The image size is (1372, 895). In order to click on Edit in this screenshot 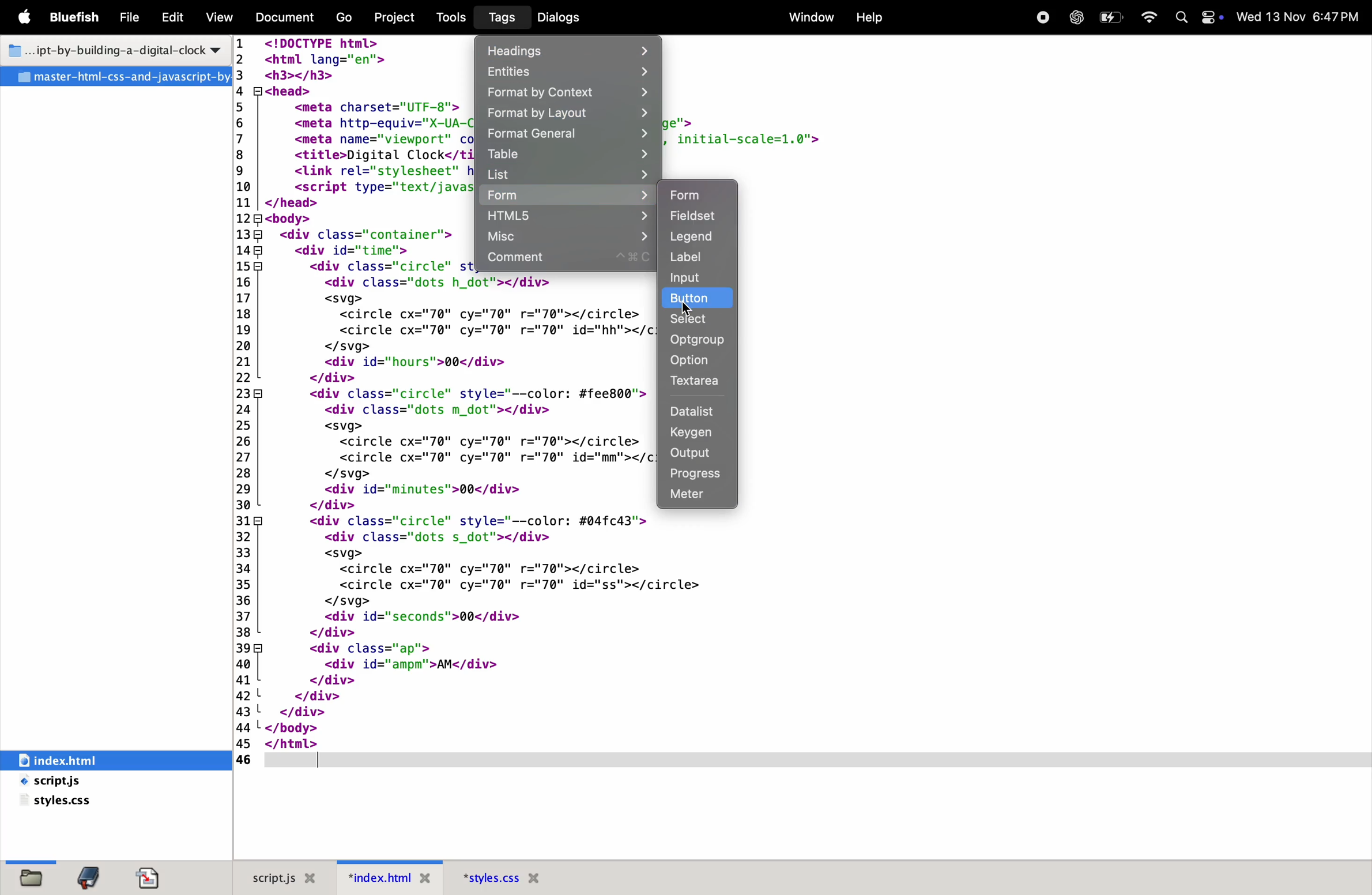, I will do `click(174, 16)`.